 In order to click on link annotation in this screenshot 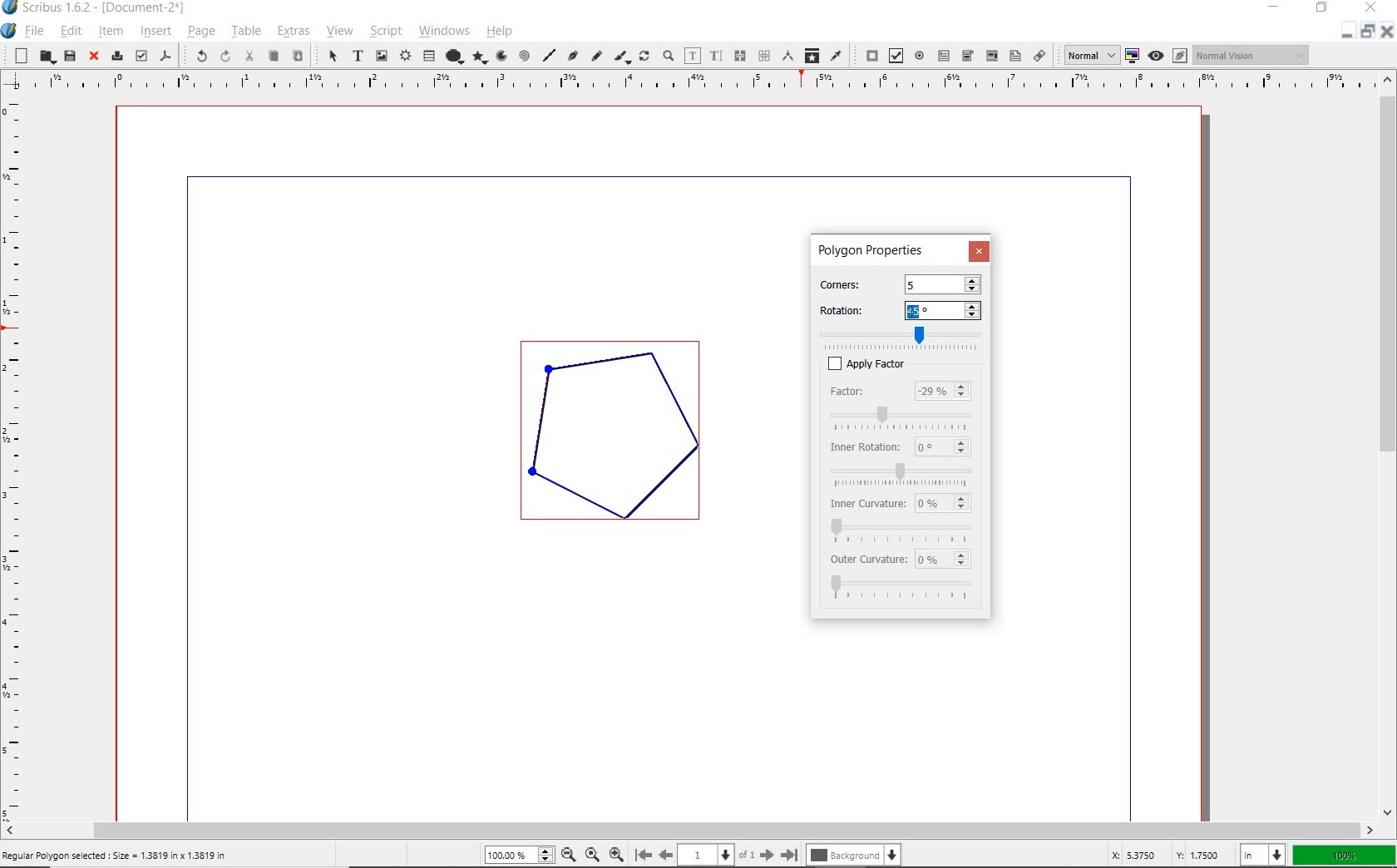, I will do `click(1039, 57)`.